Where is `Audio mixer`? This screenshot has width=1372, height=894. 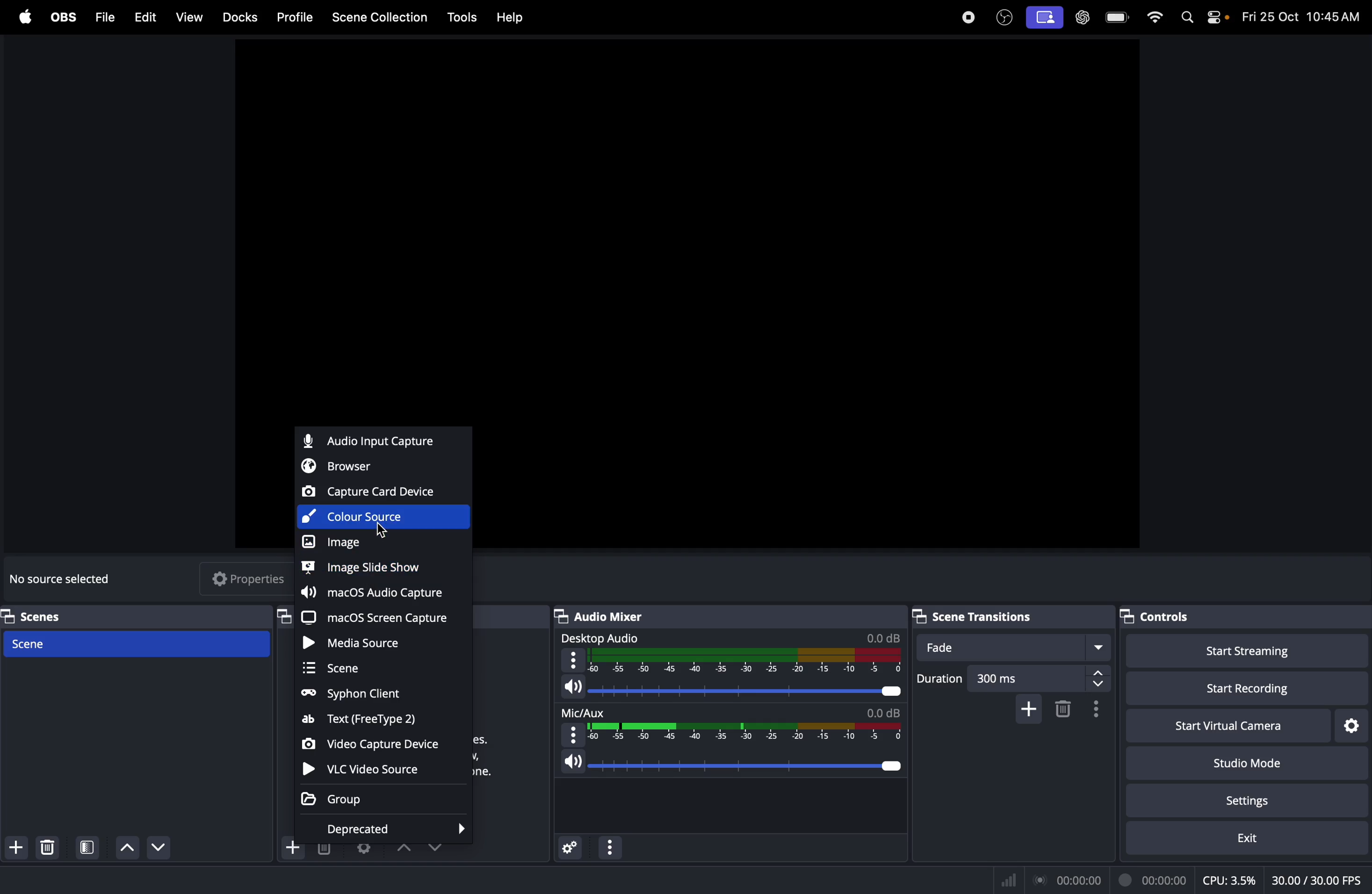
Audio mixer is located at coordinates (603, 617).